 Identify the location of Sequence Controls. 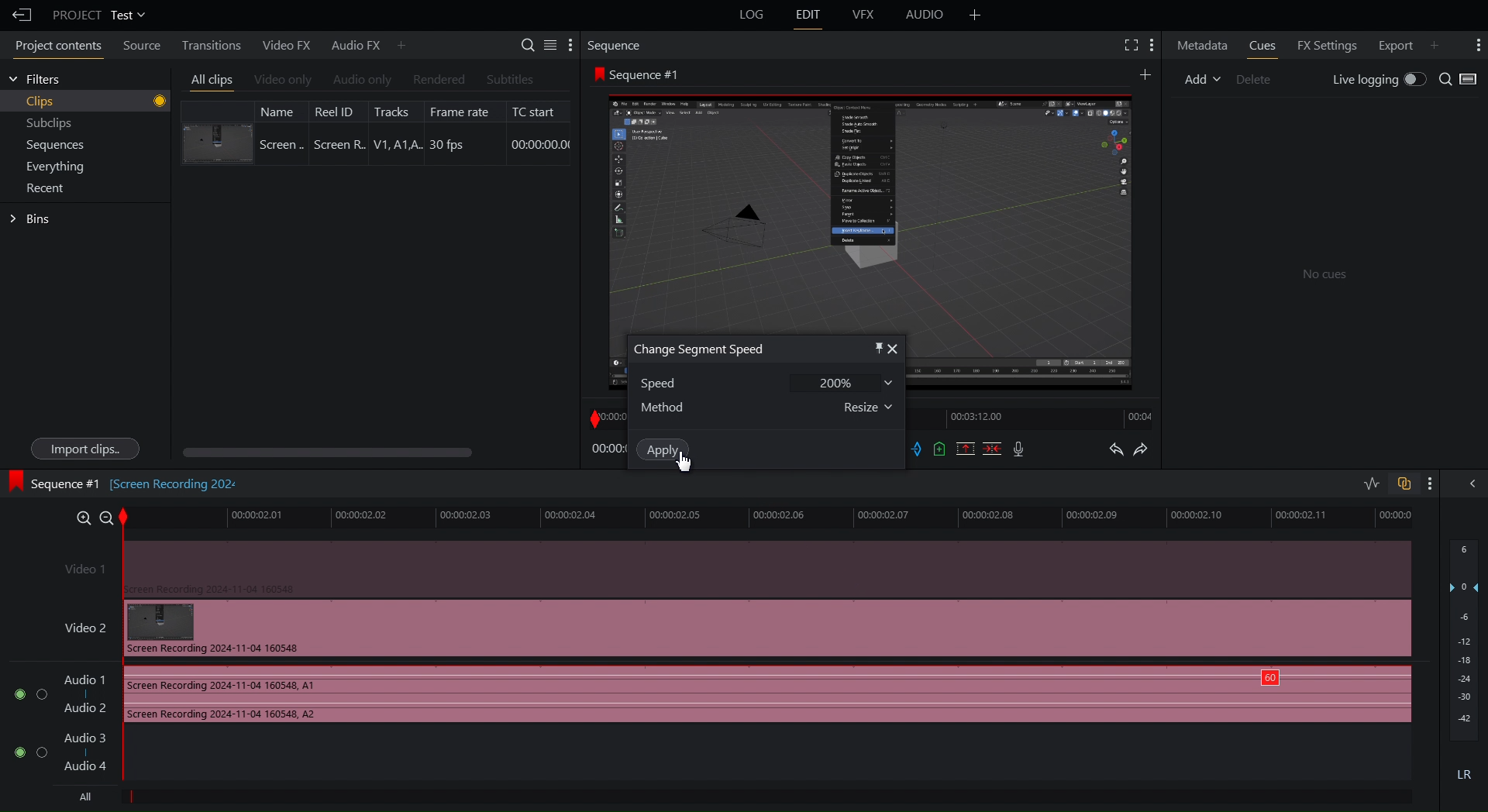
(970, 450).